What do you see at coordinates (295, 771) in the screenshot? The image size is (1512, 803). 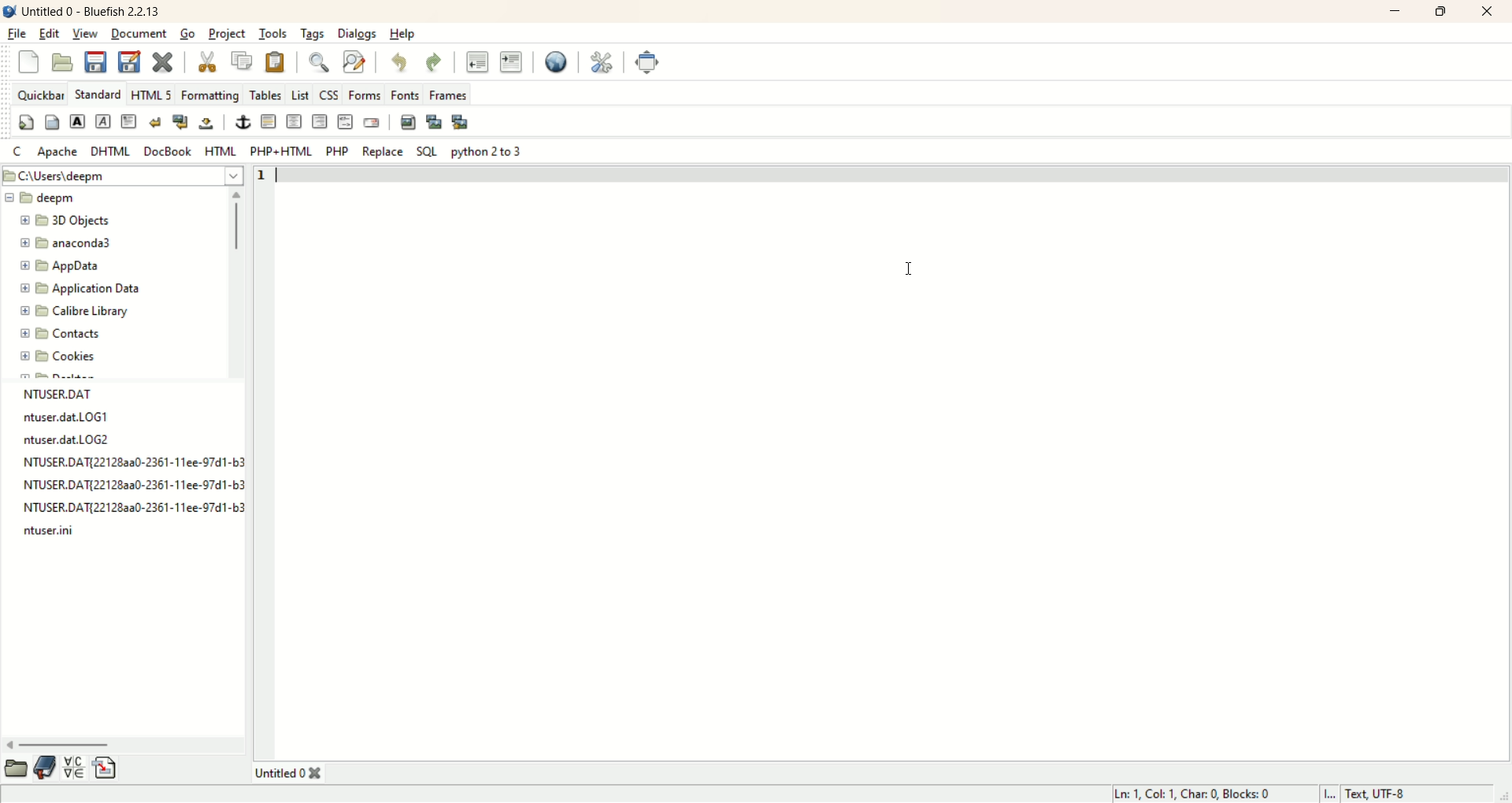 I see `title` at bounding box center [295, 771].